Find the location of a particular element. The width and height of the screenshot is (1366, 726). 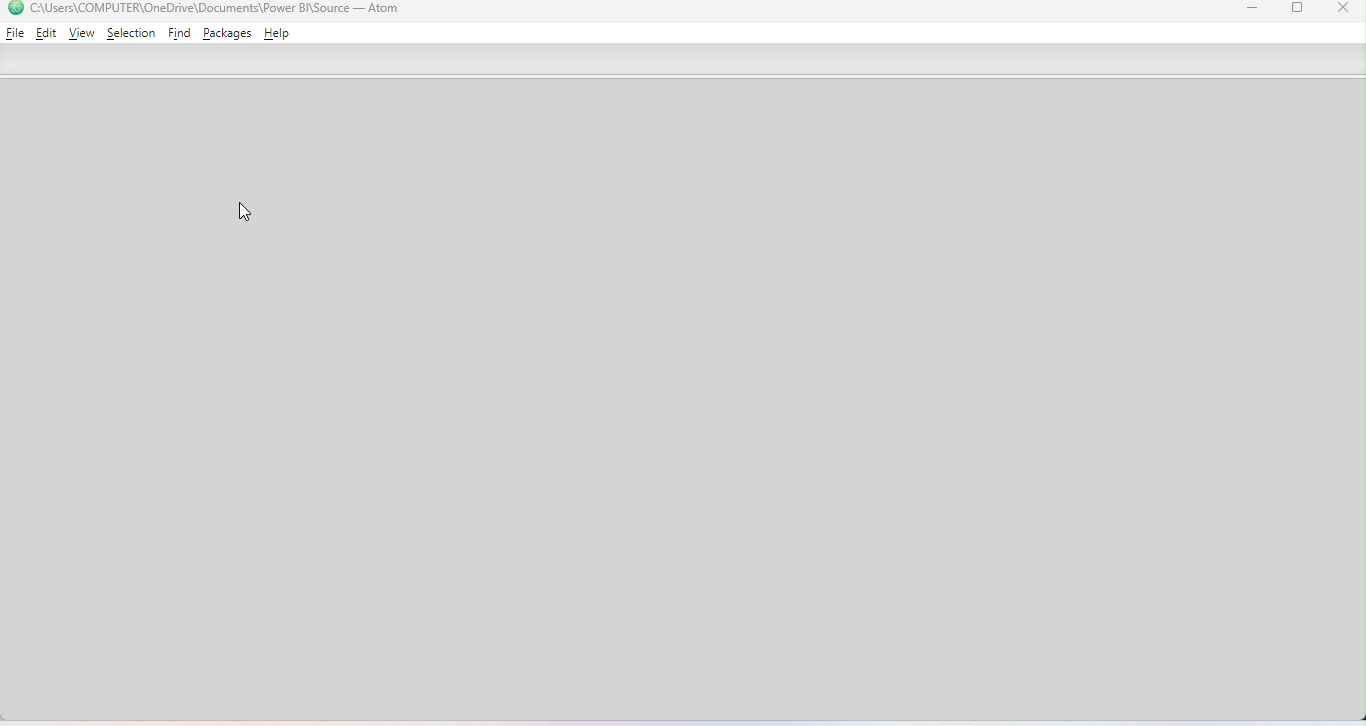

View is located at coordinates (82, 34).